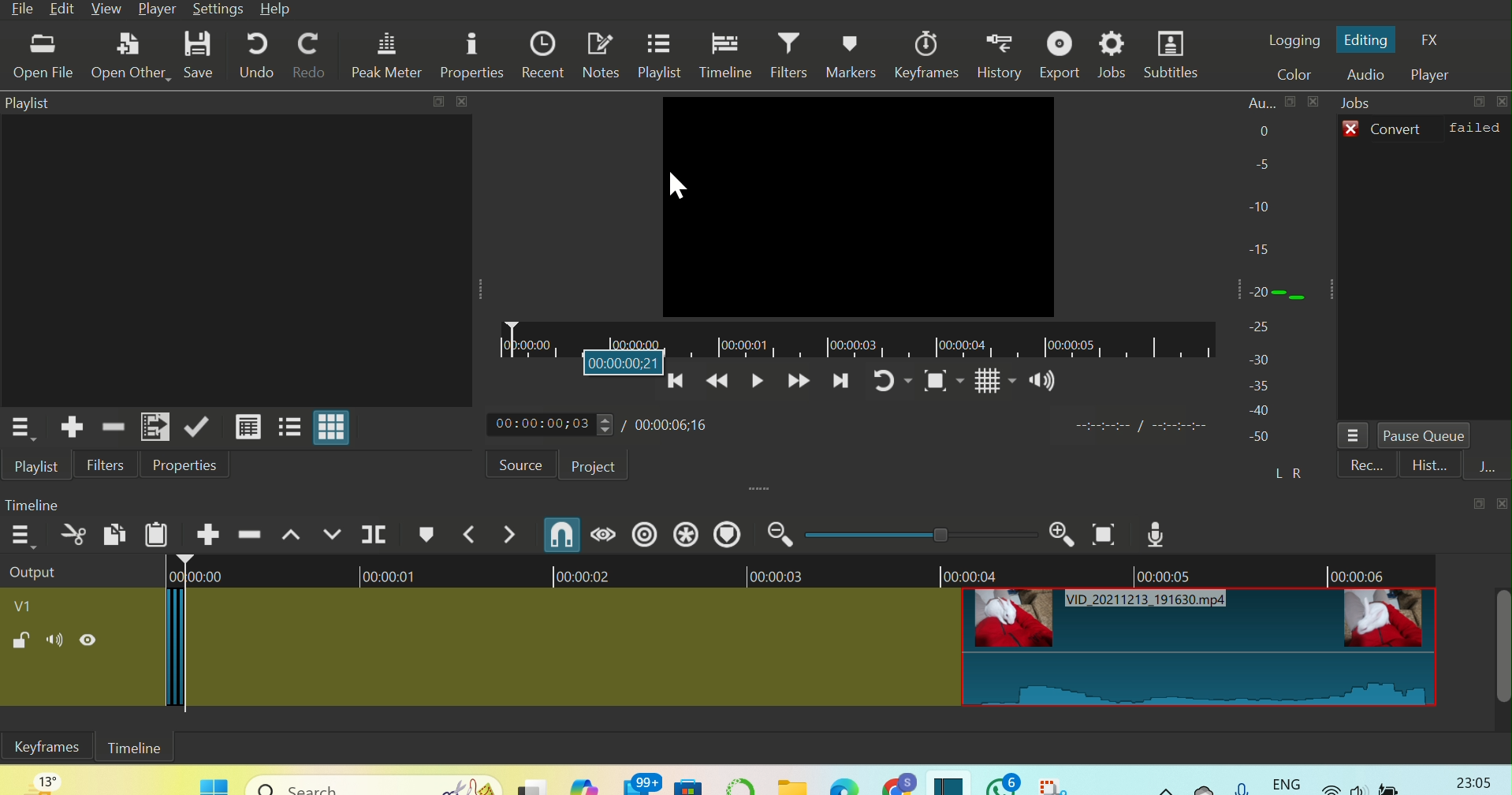  What do you see at coordinates (72, 532) in the screenshot?
I see `Cut` at bounding box center [72, 532].